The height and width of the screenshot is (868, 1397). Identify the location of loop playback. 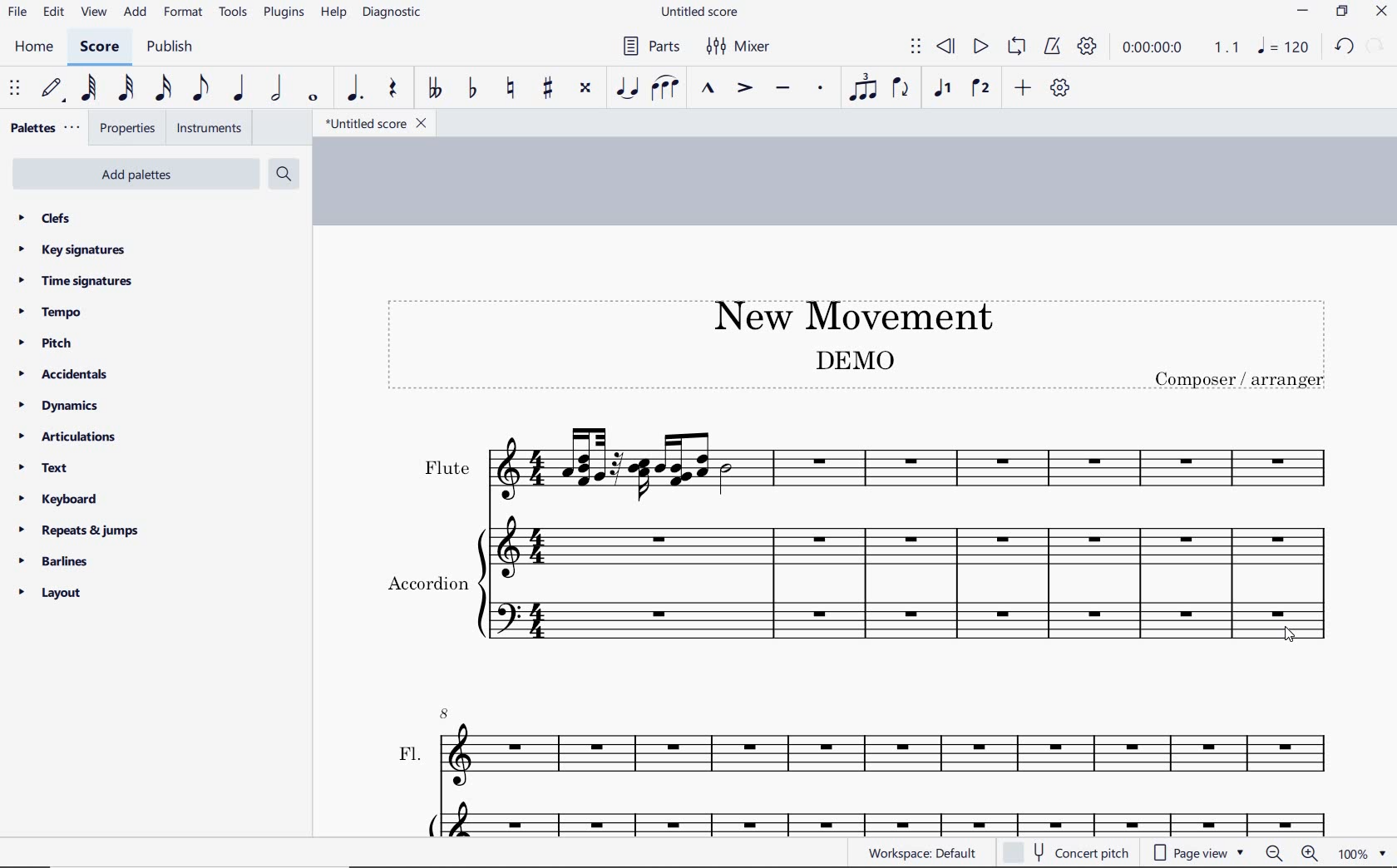
(1019, 47).